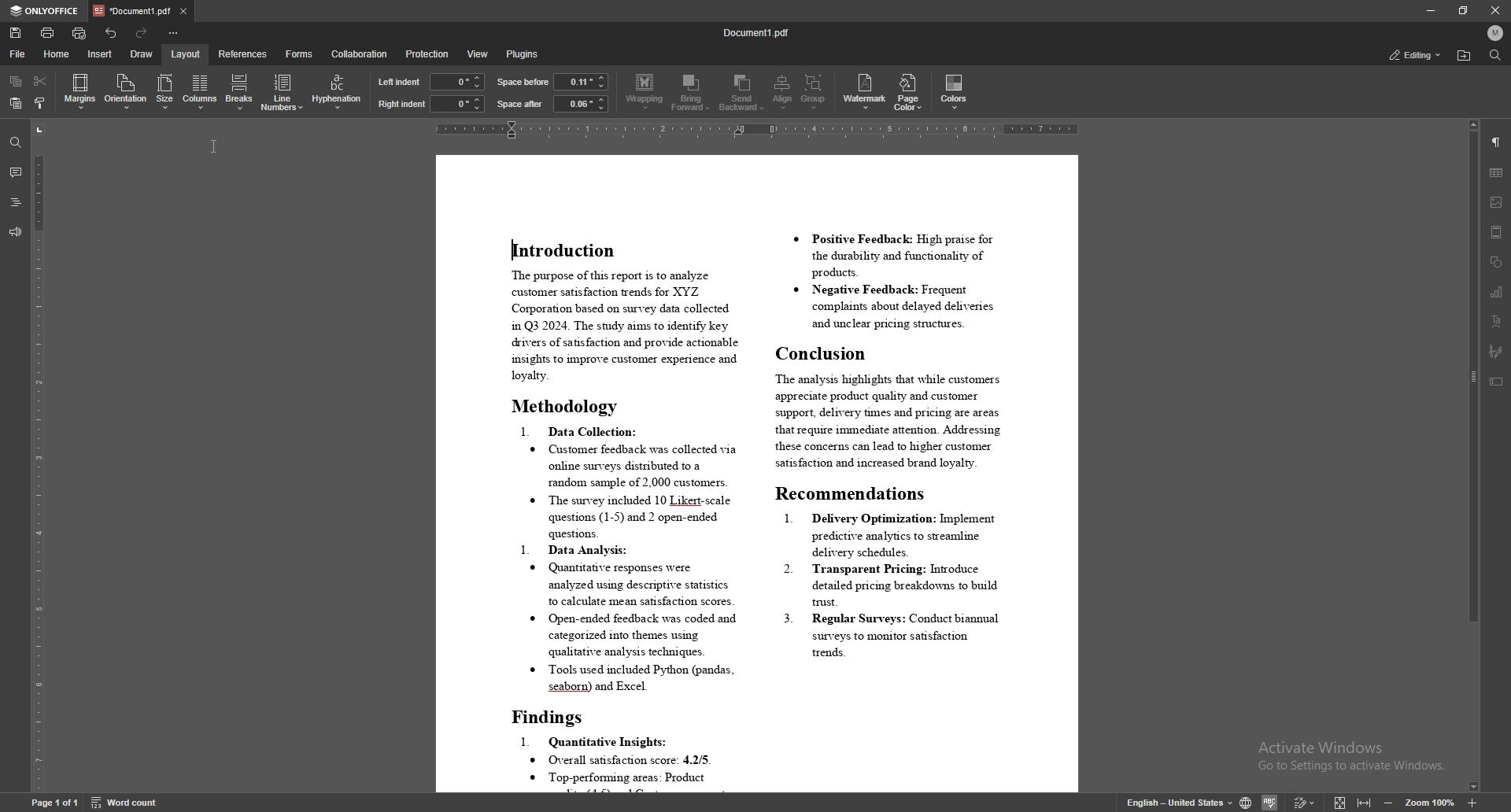  What do you see at coordinates (46, 12) in the screenshot?
I see `onlyoffice` at bounding box center [46, 12].